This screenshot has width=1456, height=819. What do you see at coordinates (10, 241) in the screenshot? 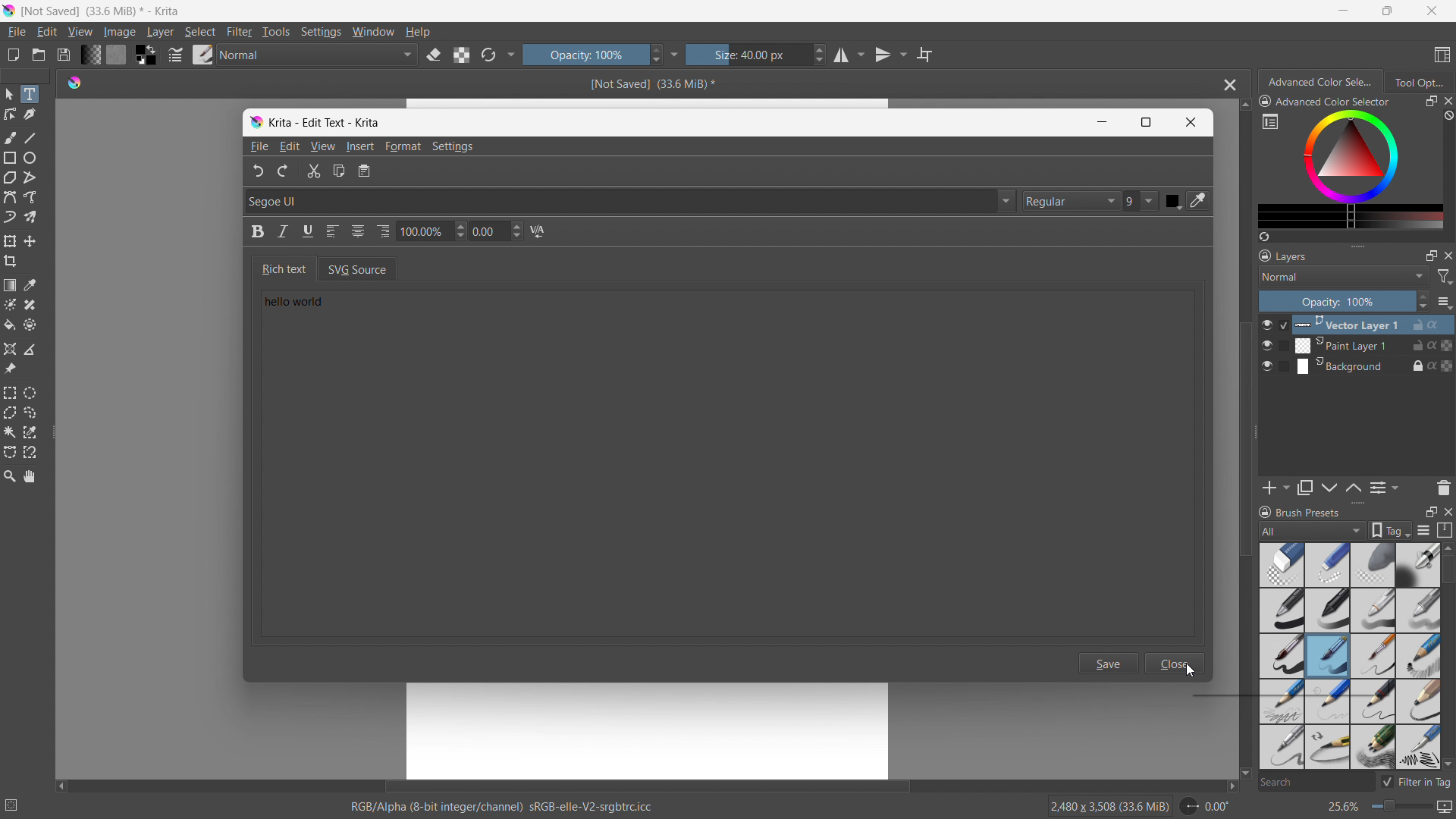
I see `transform a layer or selection` at bounding box center [10, 241].